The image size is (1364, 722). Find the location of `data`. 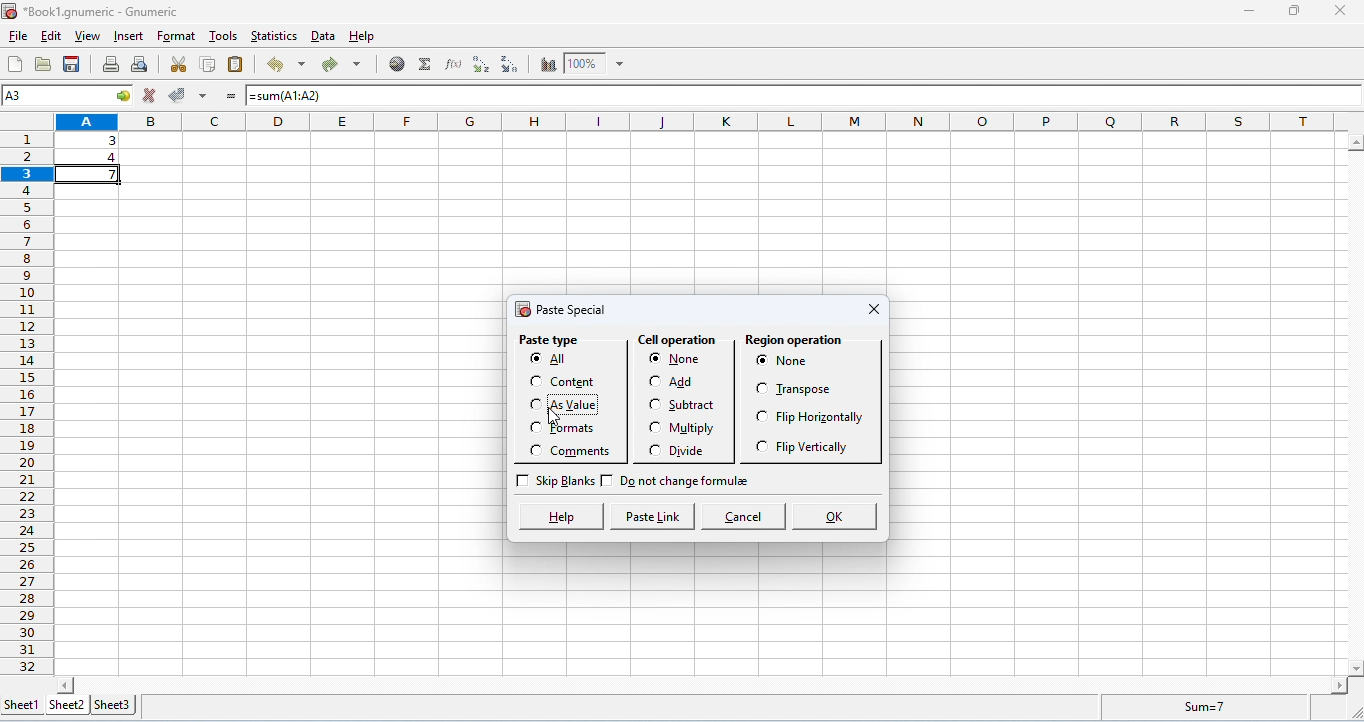

data is located at coordinates (323, 37).